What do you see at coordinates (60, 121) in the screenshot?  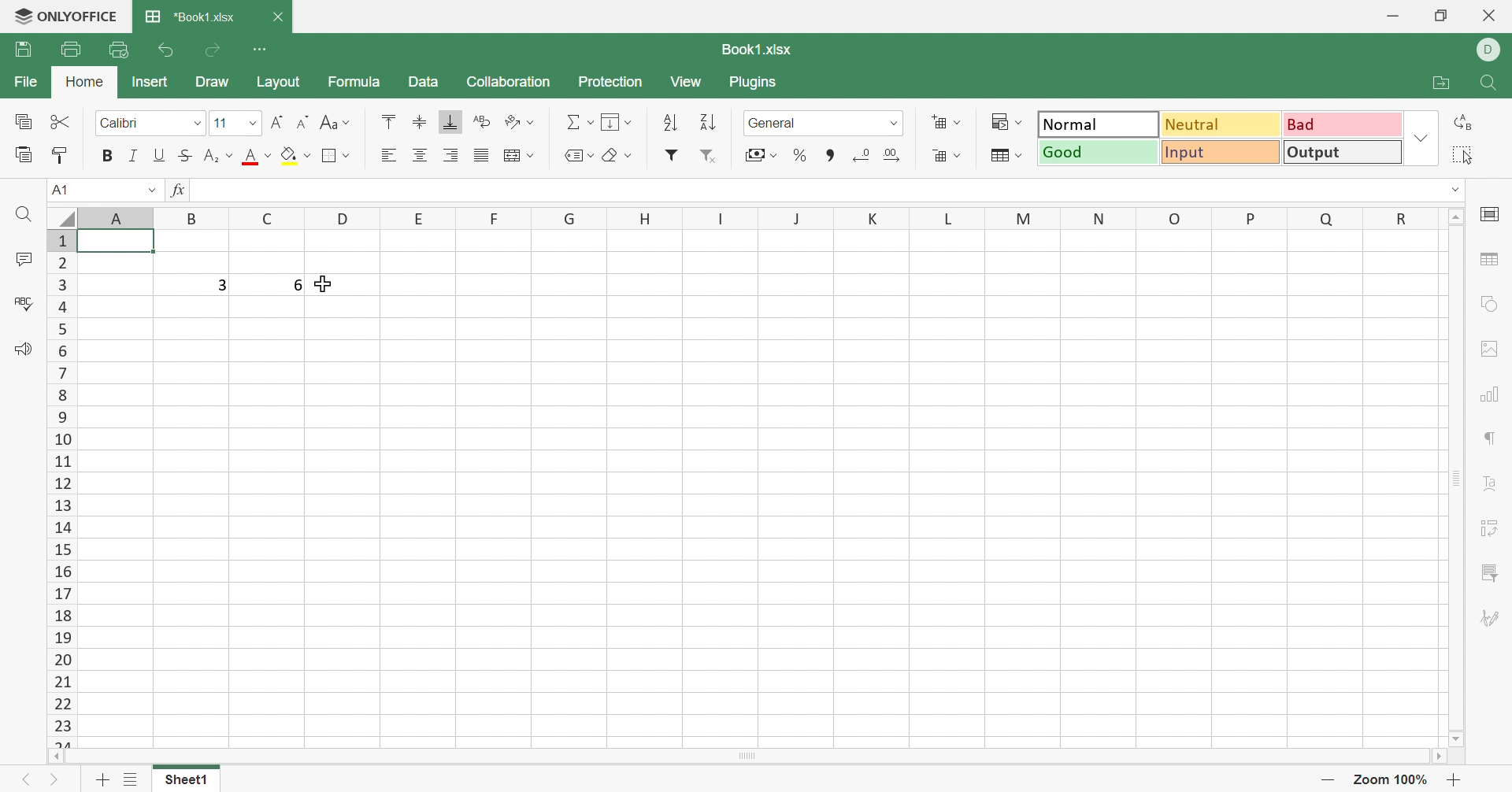 I see `Cut` at bounding box center [60, 121].